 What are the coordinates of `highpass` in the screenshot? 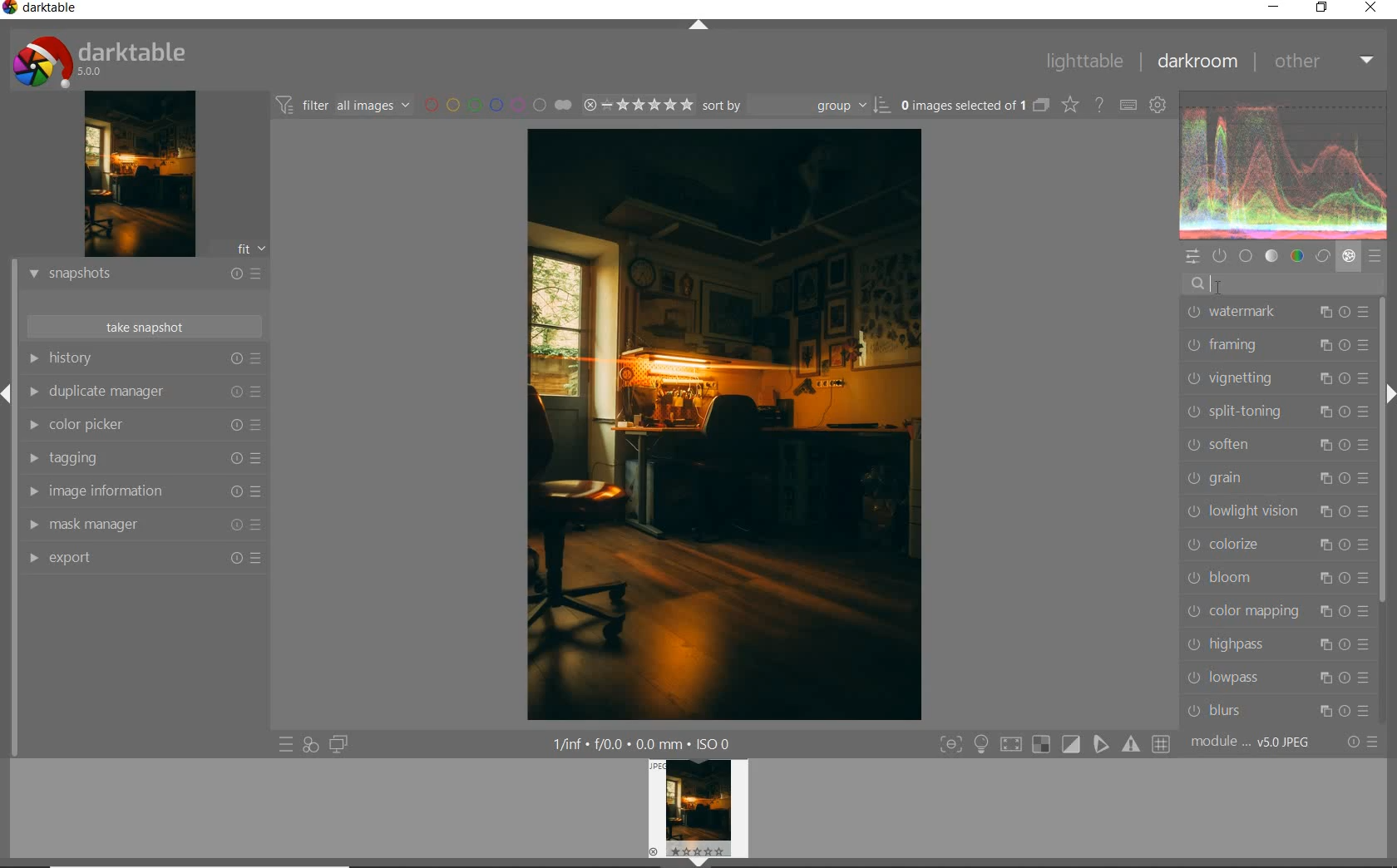 It's located at (1279, 644).